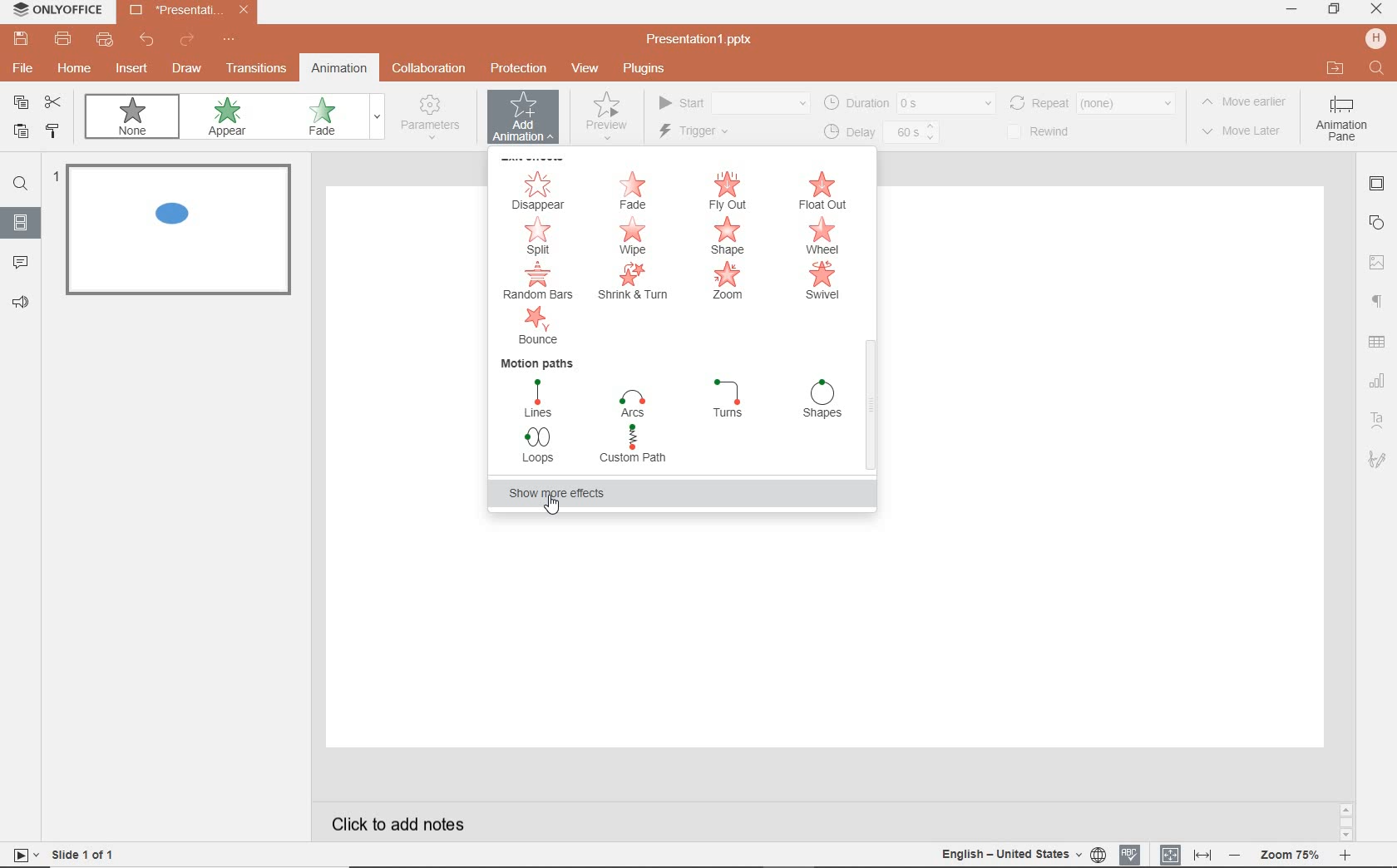 The height and width of the screenshot is (868, 1397). Describe the element at coordinates (183, 233) in the screenshot. I see `slide1` at that location.